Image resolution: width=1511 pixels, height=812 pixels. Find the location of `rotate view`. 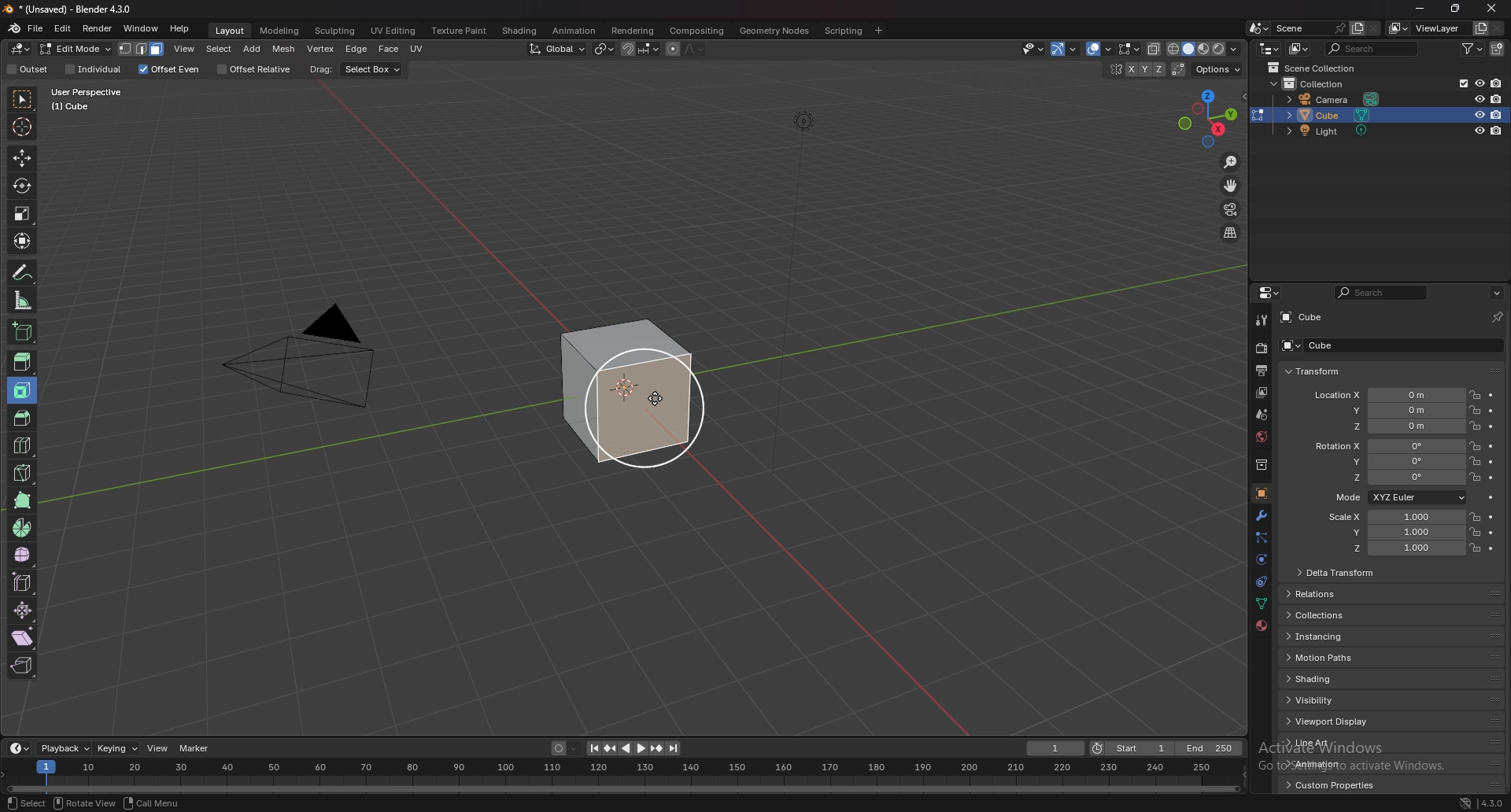

rotate view is located at coordinates (84, 803).